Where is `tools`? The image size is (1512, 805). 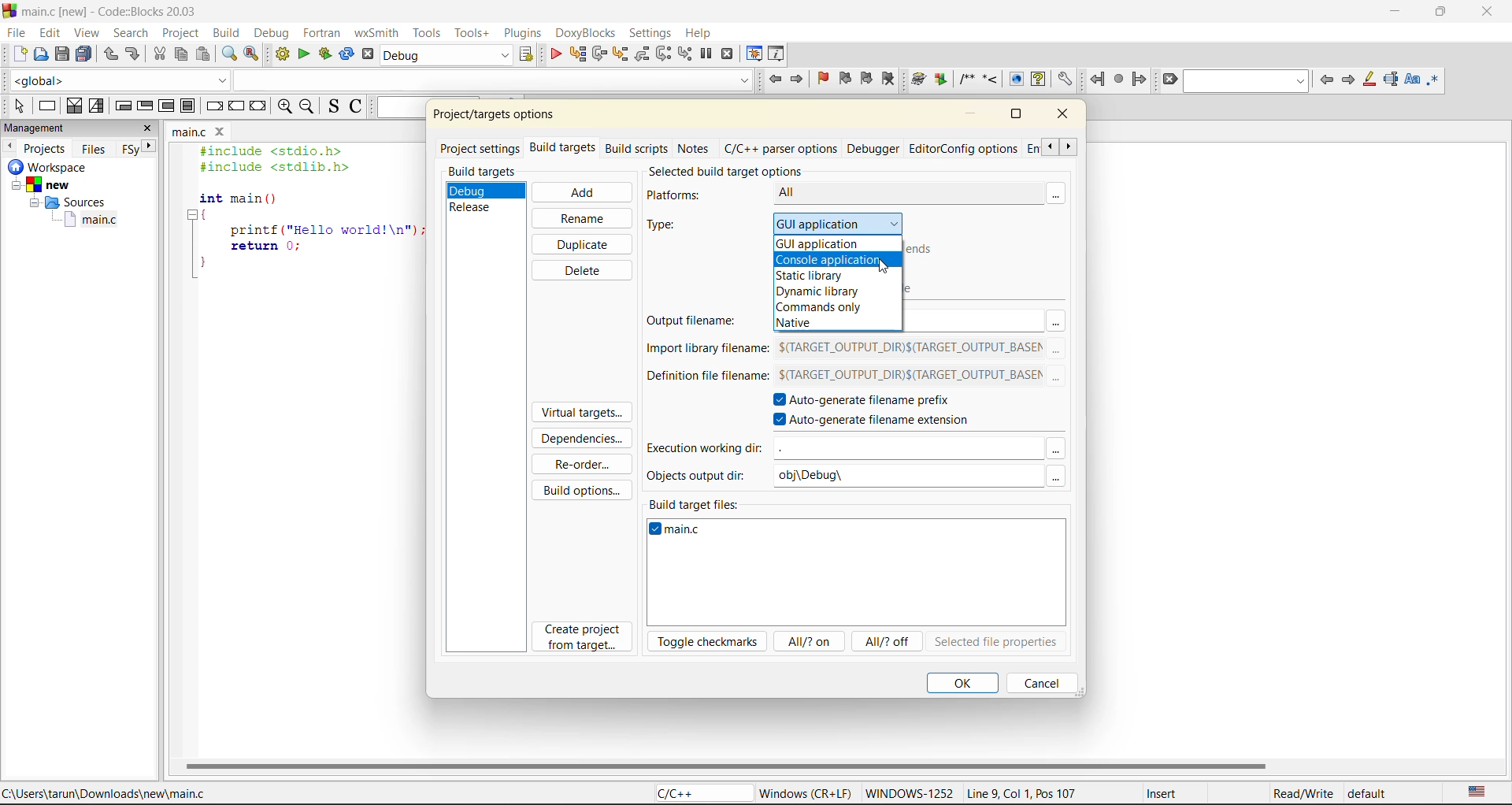 tools is located at coordinates (426, 34).